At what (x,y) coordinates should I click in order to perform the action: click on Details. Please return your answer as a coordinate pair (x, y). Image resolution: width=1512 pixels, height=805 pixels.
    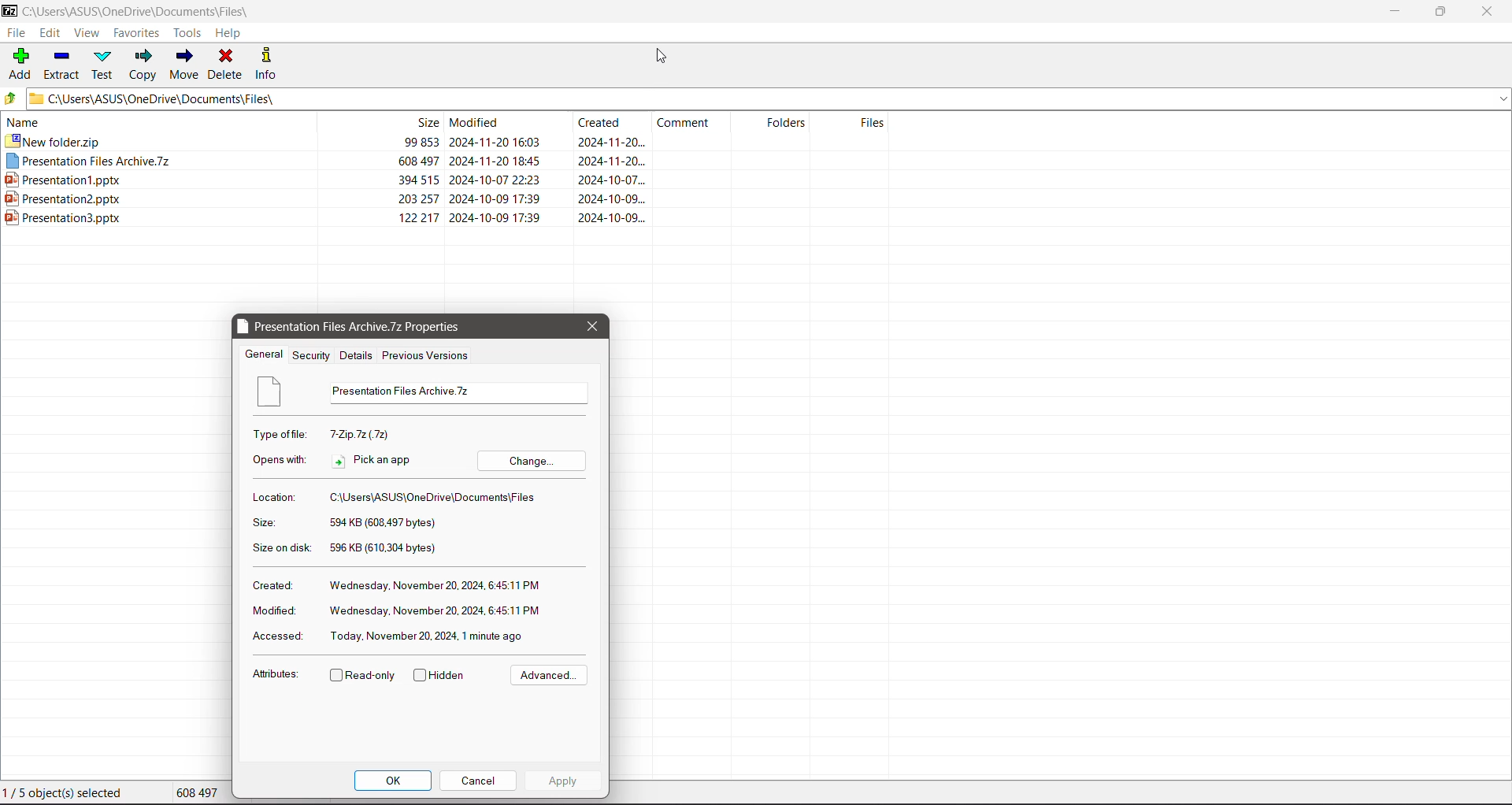
    Looking at the image, I should click on (356, 354).